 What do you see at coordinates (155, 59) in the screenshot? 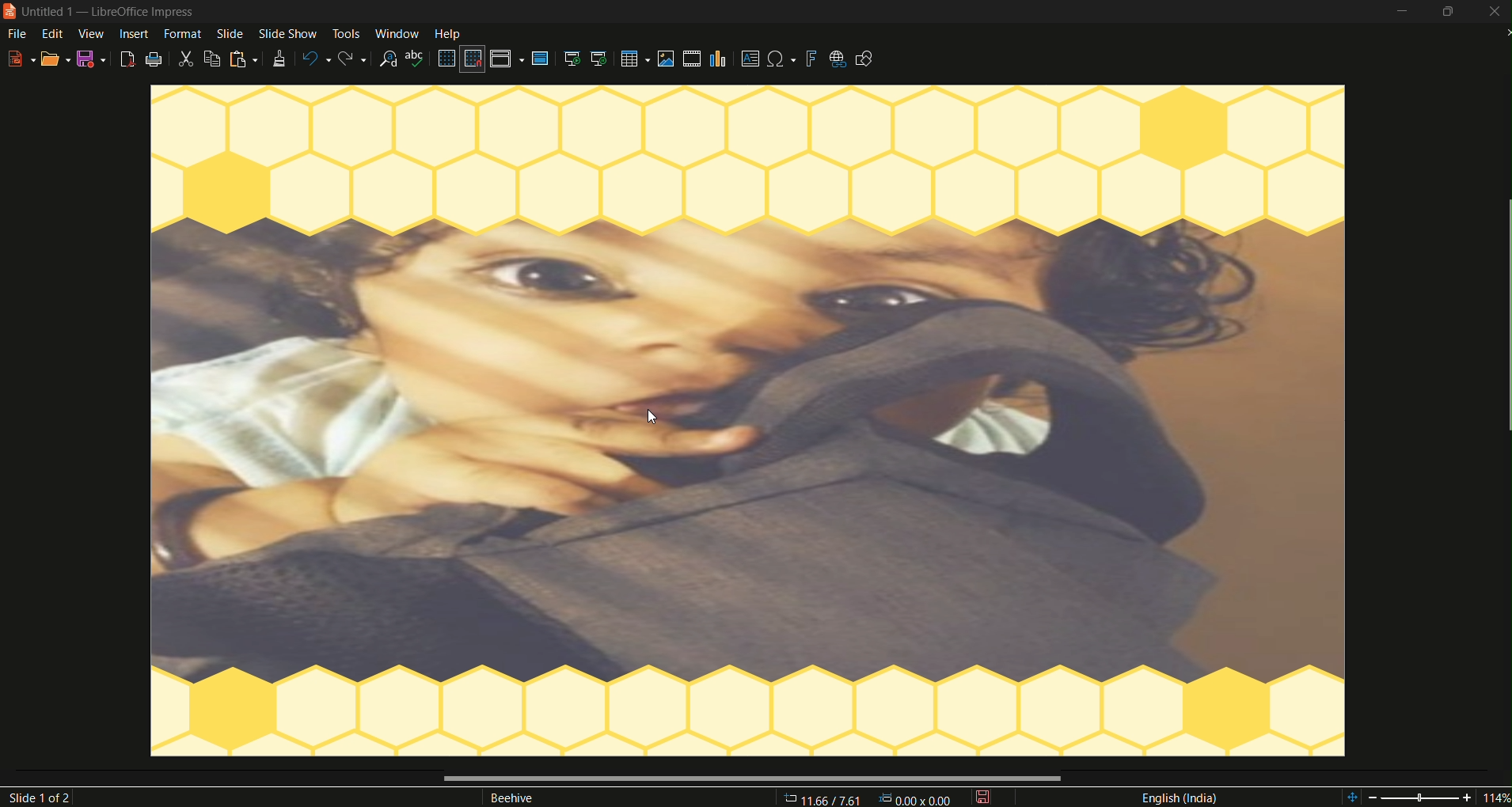
I see `print` at bounding box center [155, 59].